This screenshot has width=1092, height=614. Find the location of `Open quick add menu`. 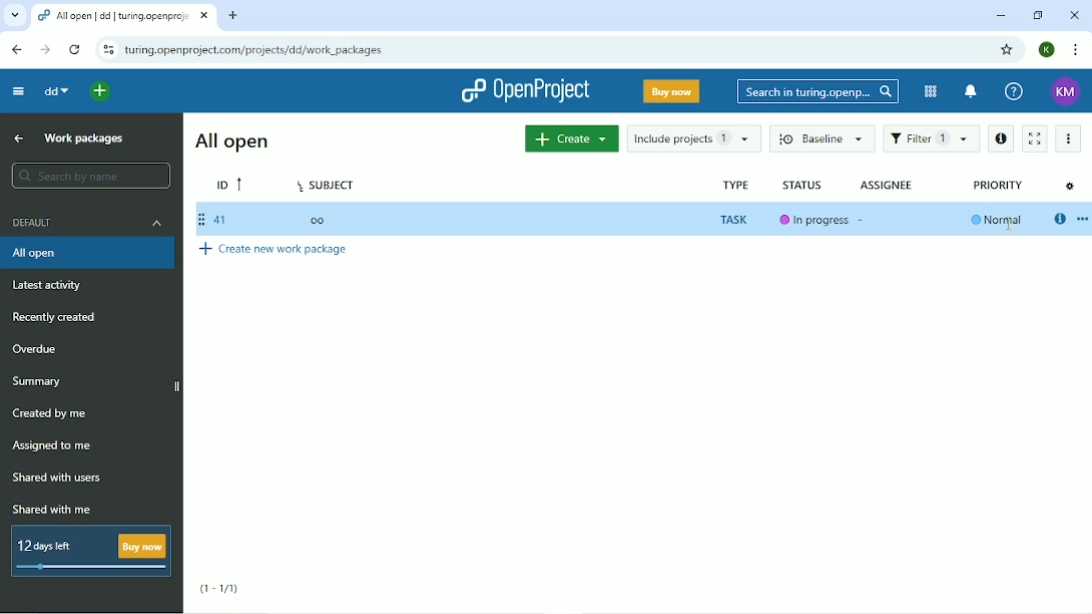

Open quick add menu is located at coordinates (101, 91).